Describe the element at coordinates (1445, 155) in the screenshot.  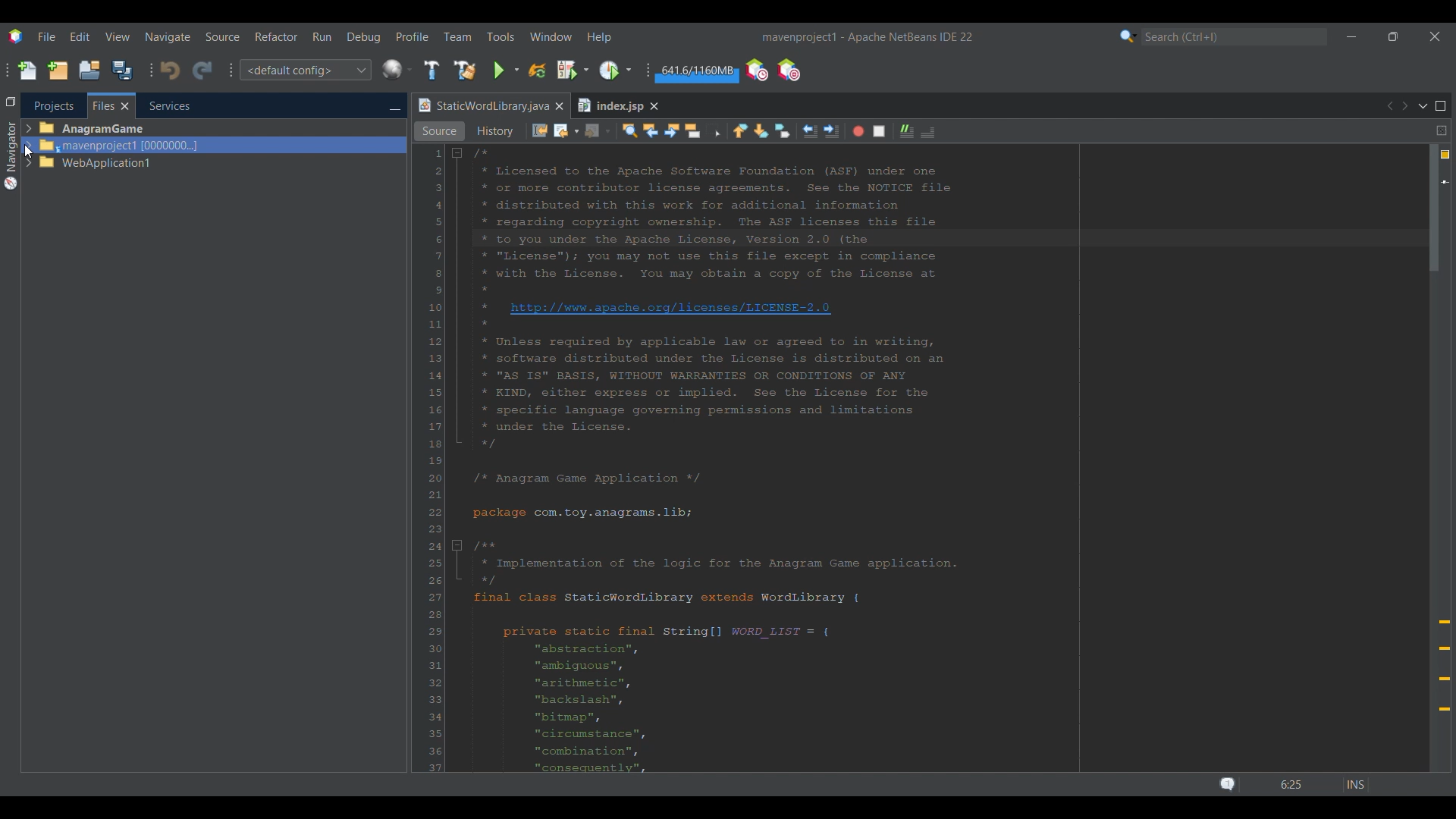
I see `No errors` at that location.